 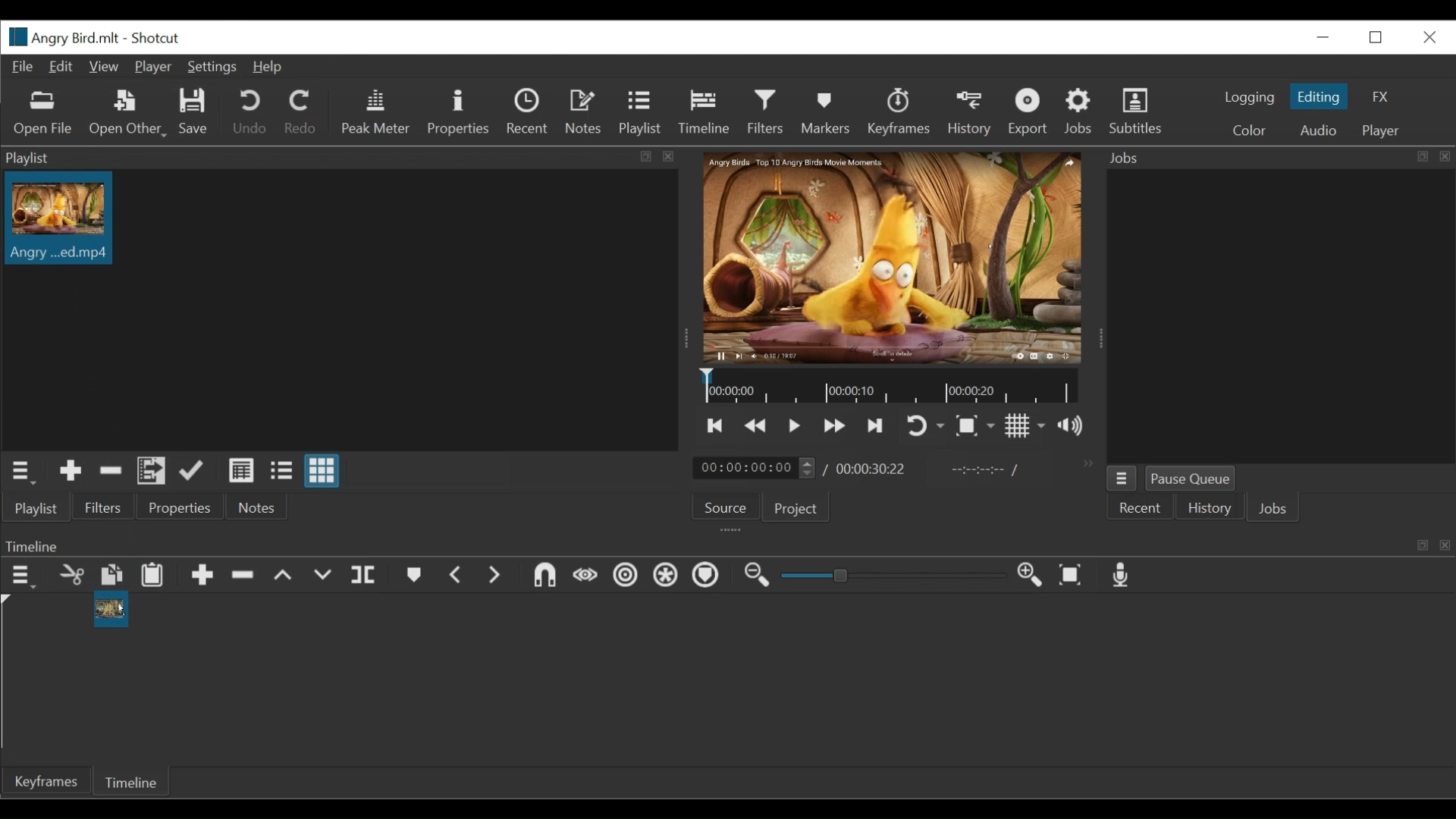 What do you see at coordinates (1384, 129) in the screenshot?
I see `Player` at bounding box center [1384, 129].